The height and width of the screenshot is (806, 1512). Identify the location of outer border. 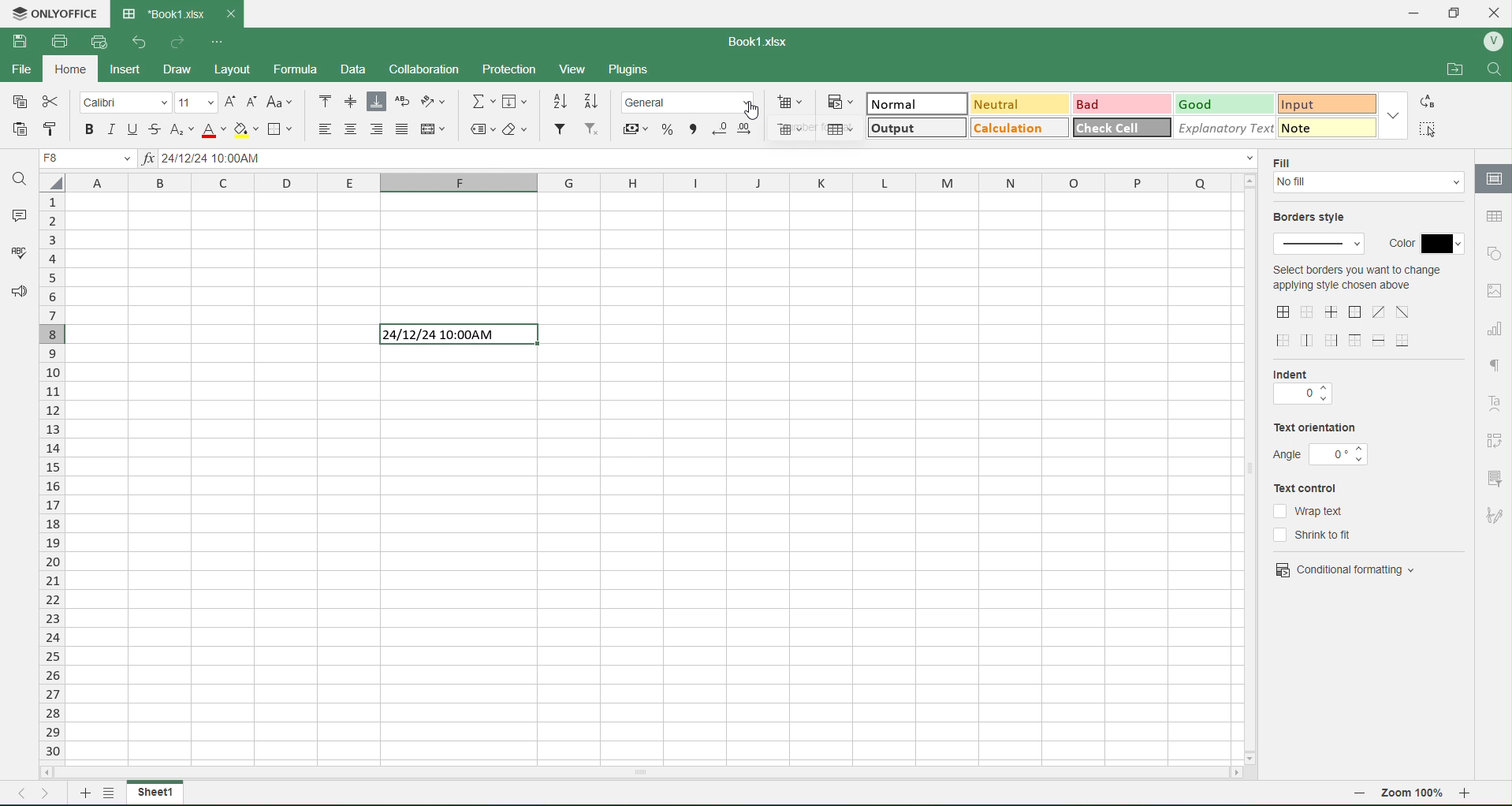
(1357, 313).